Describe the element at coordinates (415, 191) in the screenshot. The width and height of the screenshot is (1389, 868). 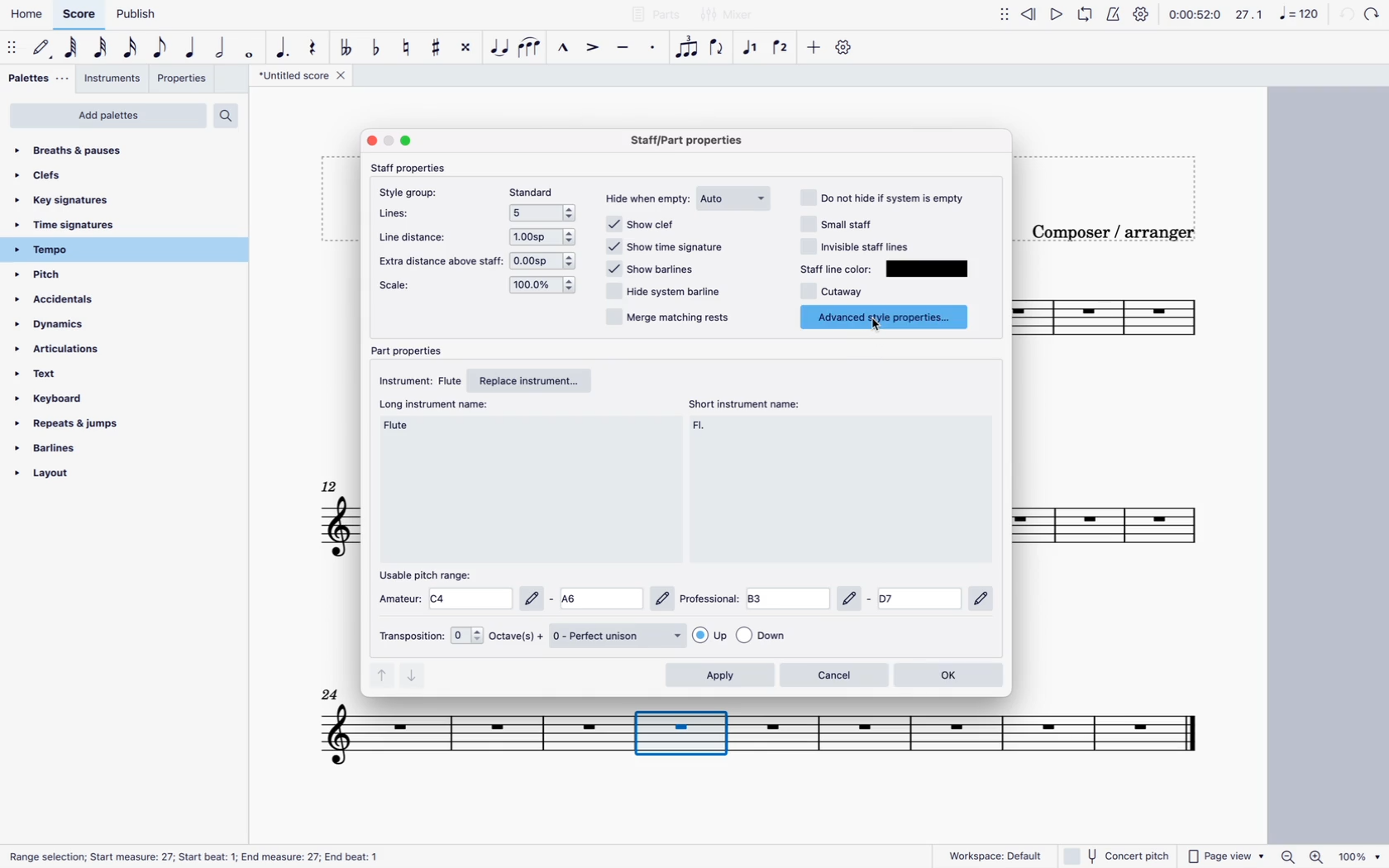
I see `style group` at that location.